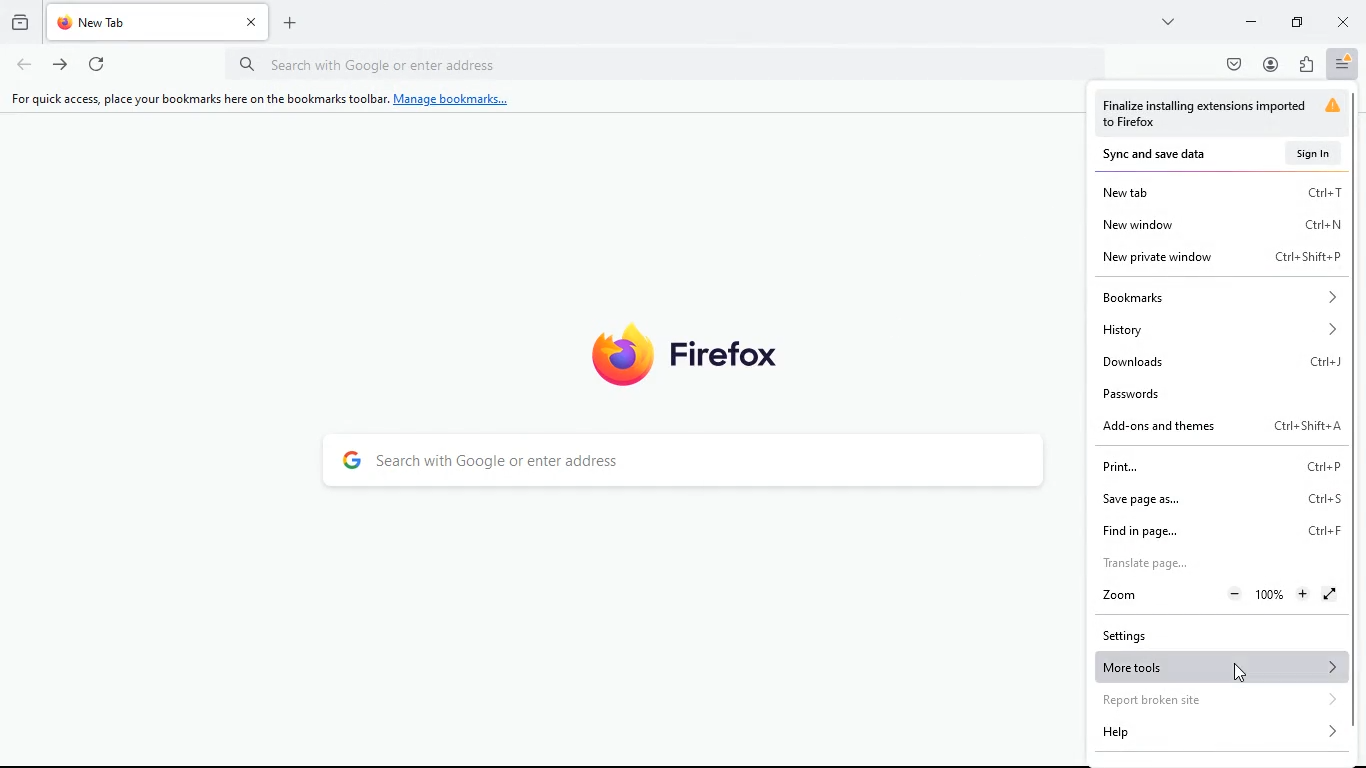 Image resolution: width=1366 pixels, height=768 pixels. I want to click on add-ons and themes, so click(1217, 426).